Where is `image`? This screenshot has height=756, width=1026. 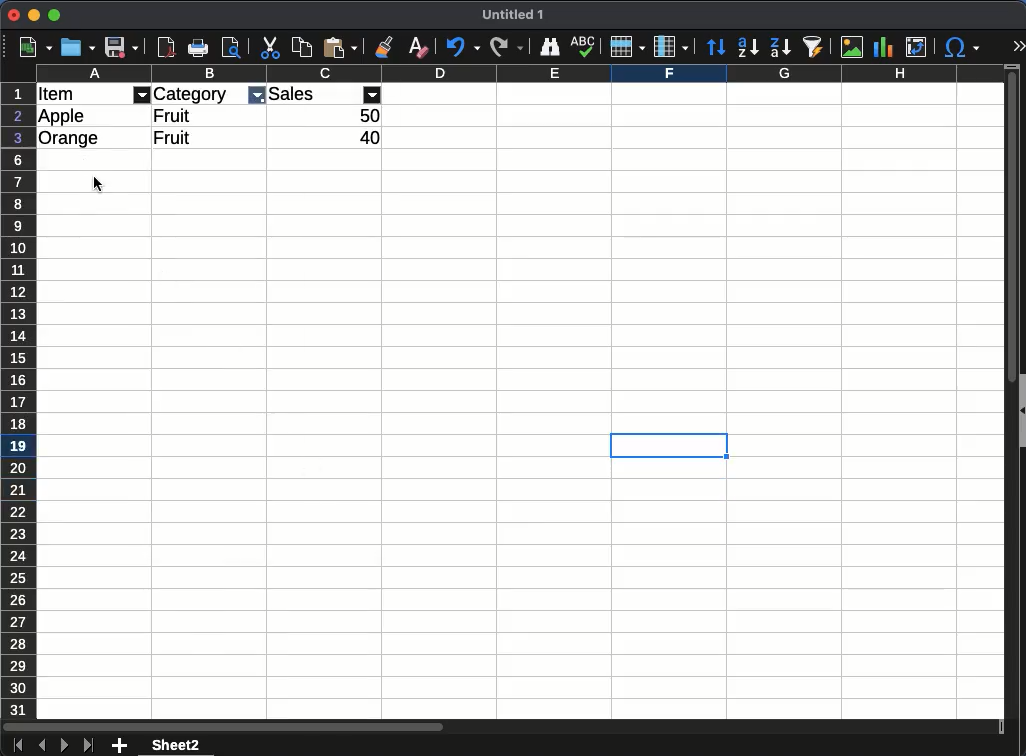
image is located at coordinates (853, 46).